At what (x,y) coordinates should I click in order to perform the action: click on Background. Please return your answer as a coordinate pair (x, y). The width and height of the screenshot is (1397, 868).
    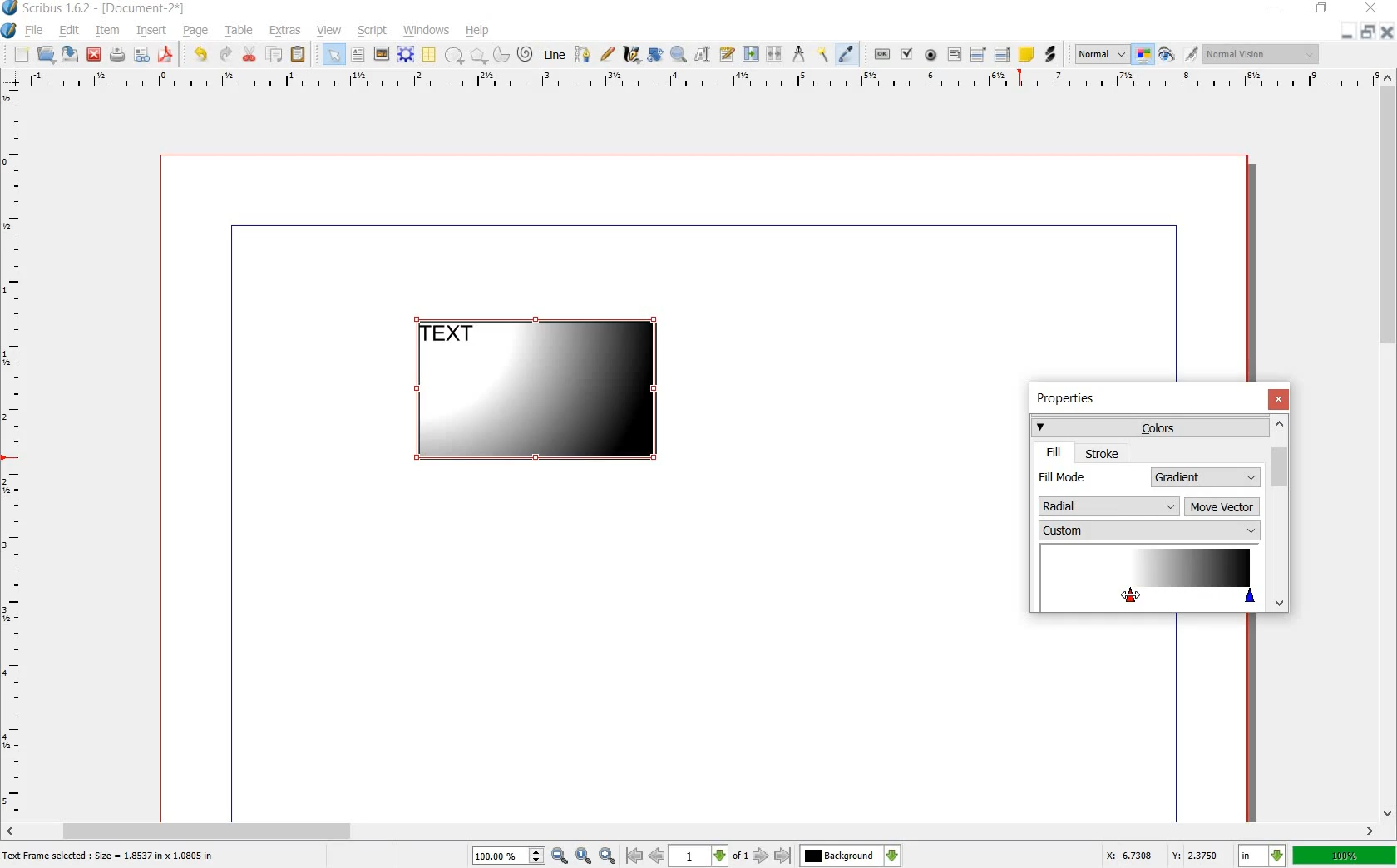
    Looking at the image, I should click on (851, 856).